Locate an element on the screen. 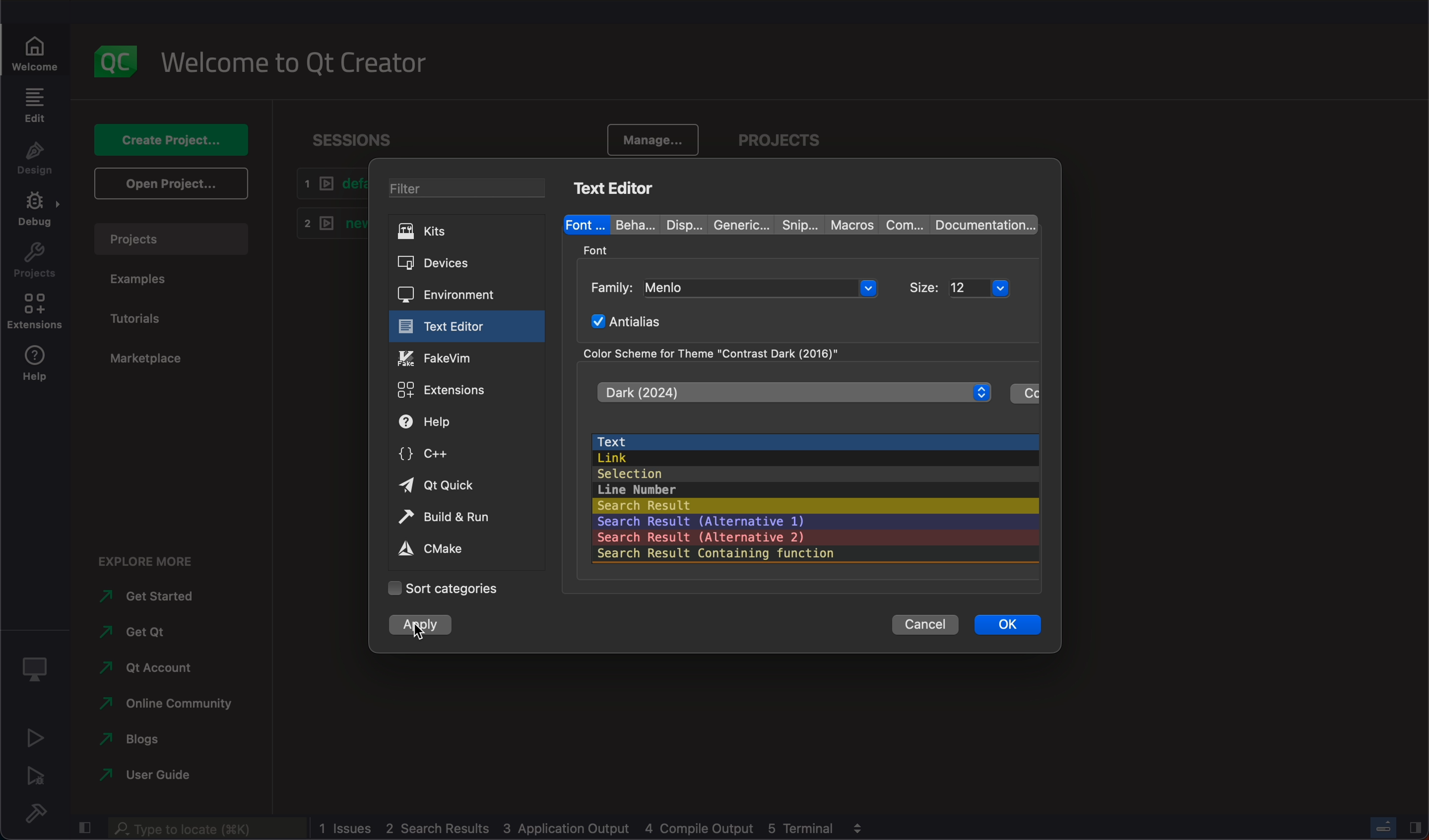 The width and height of the screenshot is (1429, 840). tutorials is located at coordinates (141, 321).